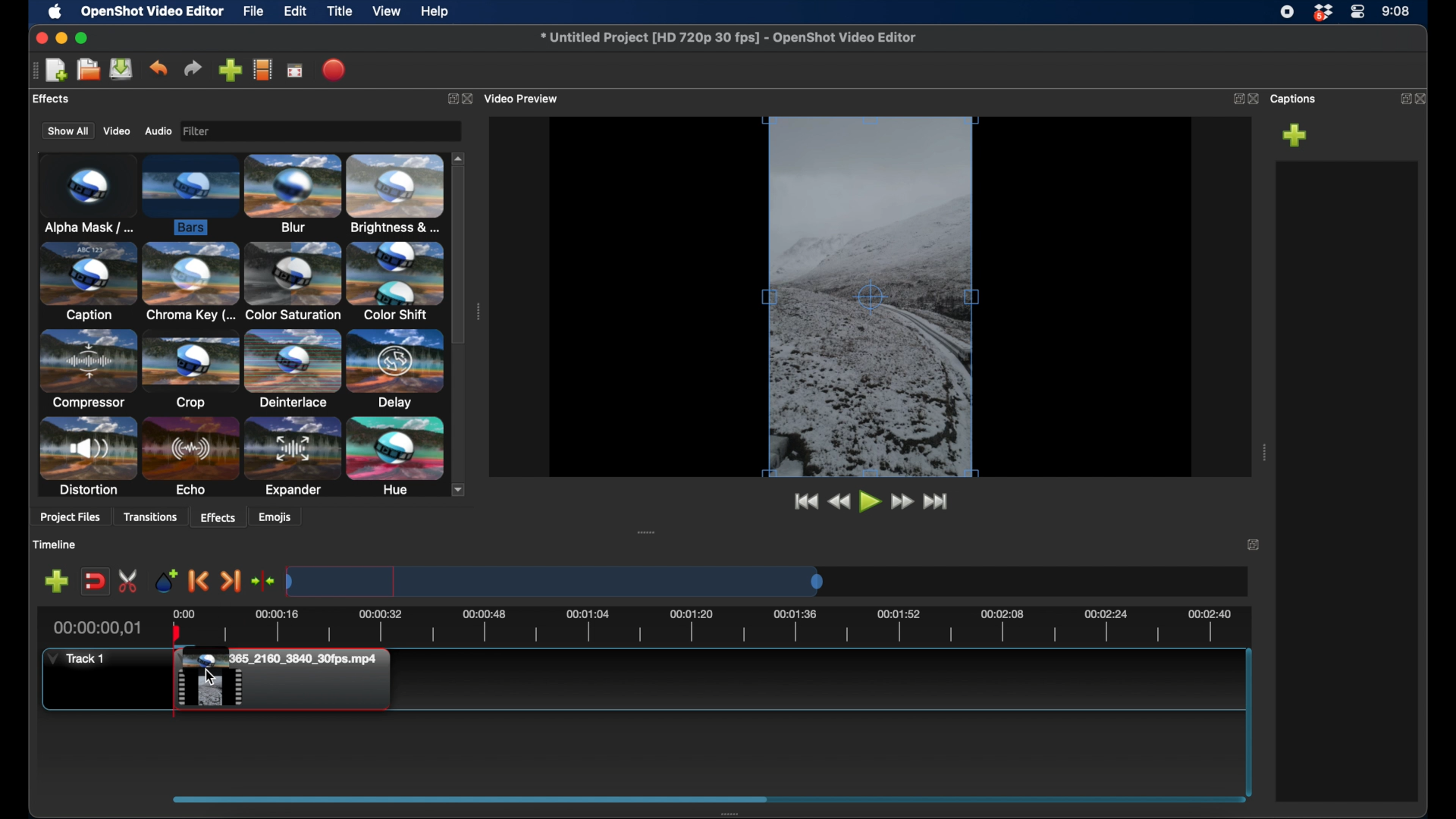 Image resolution: width=1456 pixels, height=819 pixels. I want to click on emojis, so click(276, 518).